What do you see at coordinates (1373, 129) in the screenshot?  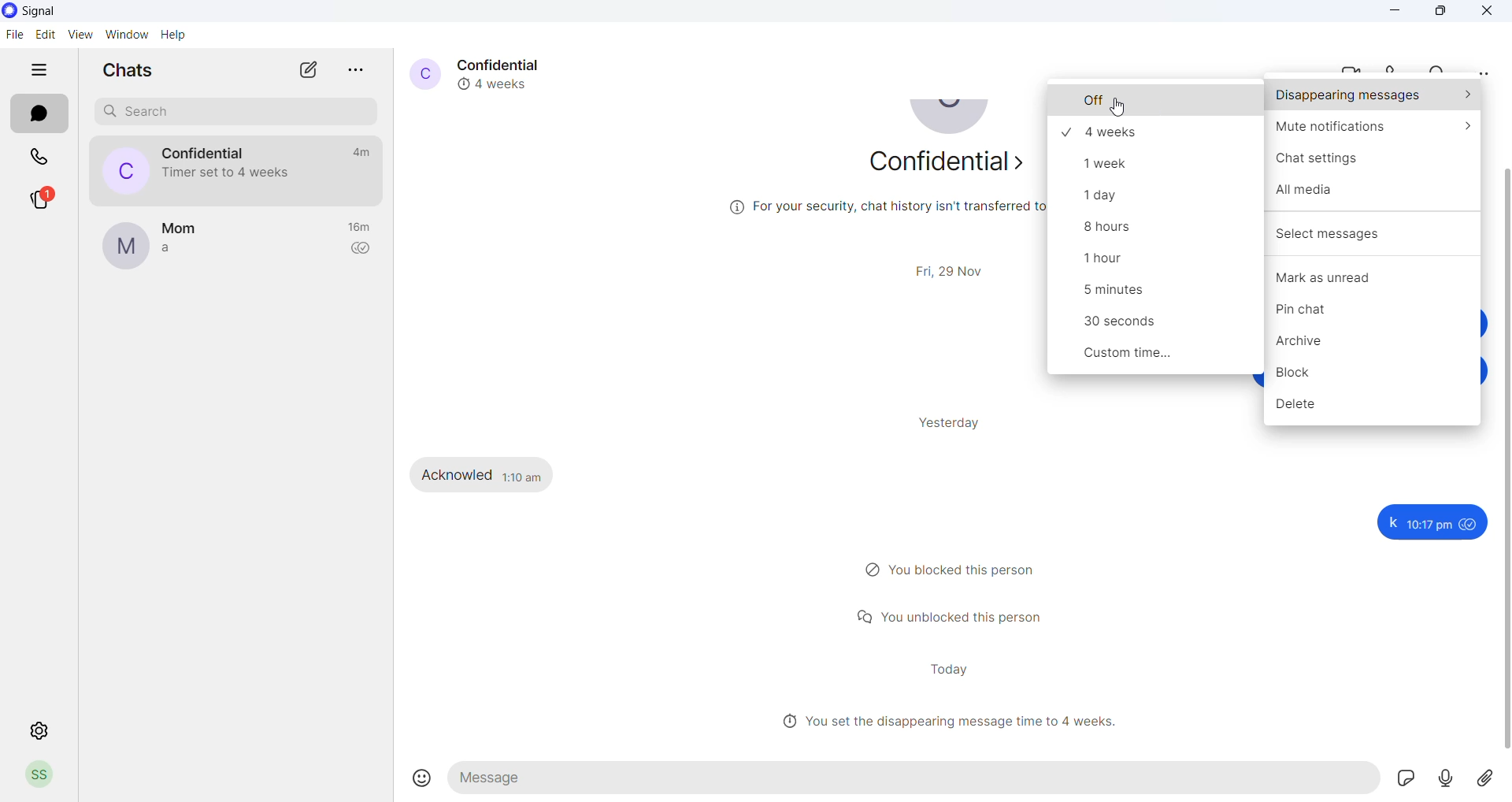 I see `mute notifications` at bounding box center [1373, 129].